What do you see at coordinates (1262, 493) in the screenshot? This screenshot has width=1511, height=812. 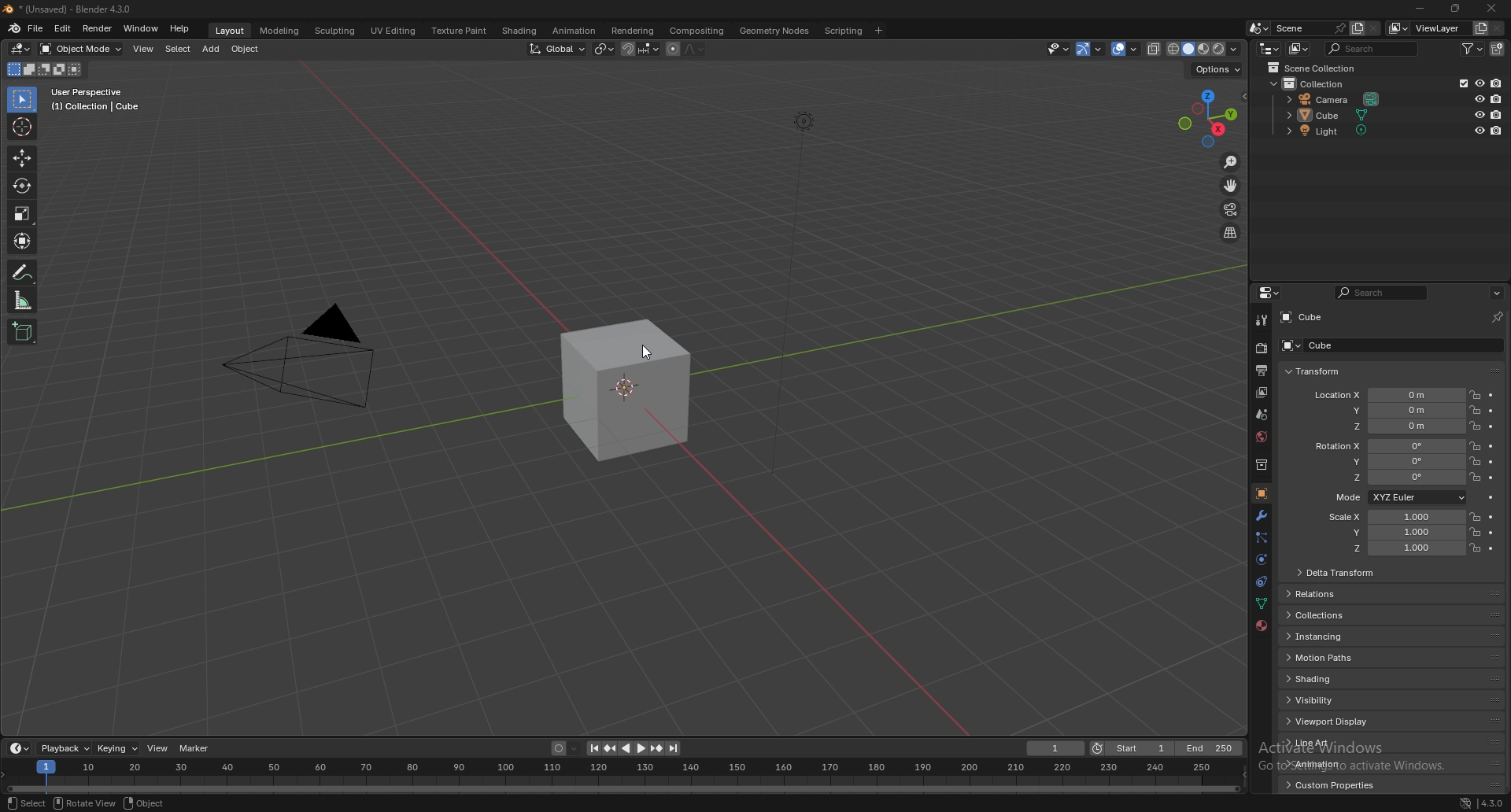 I see `object` at bounding box center [1262, 493].